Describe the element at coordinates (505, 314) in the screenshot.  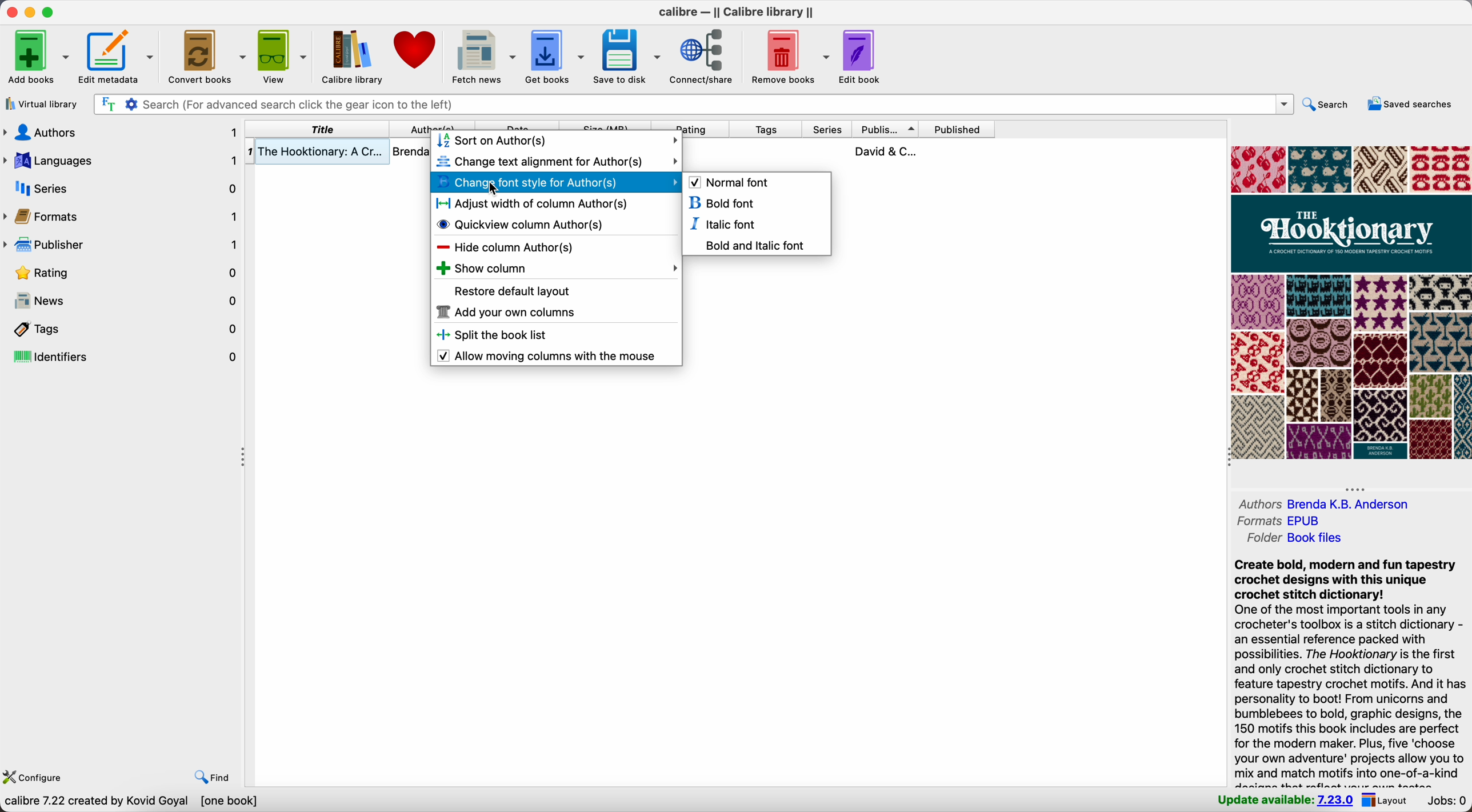
I see `add your own columns` at that location.